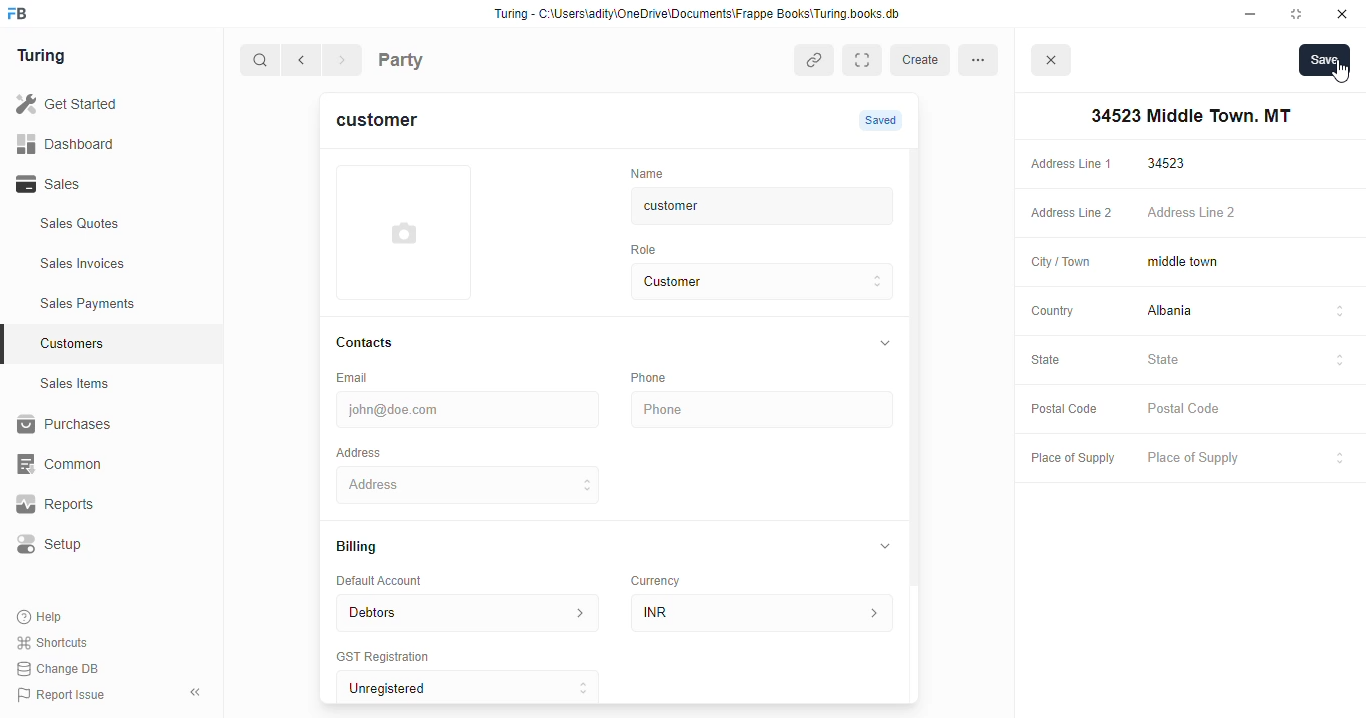  What do you see at coordinates (703, 16) in the screenshot?
I see `Turing - C:\Users\adity\OneDrive\Documents\Frappe Books\Turing books. db` at bounding box center [703, 16].